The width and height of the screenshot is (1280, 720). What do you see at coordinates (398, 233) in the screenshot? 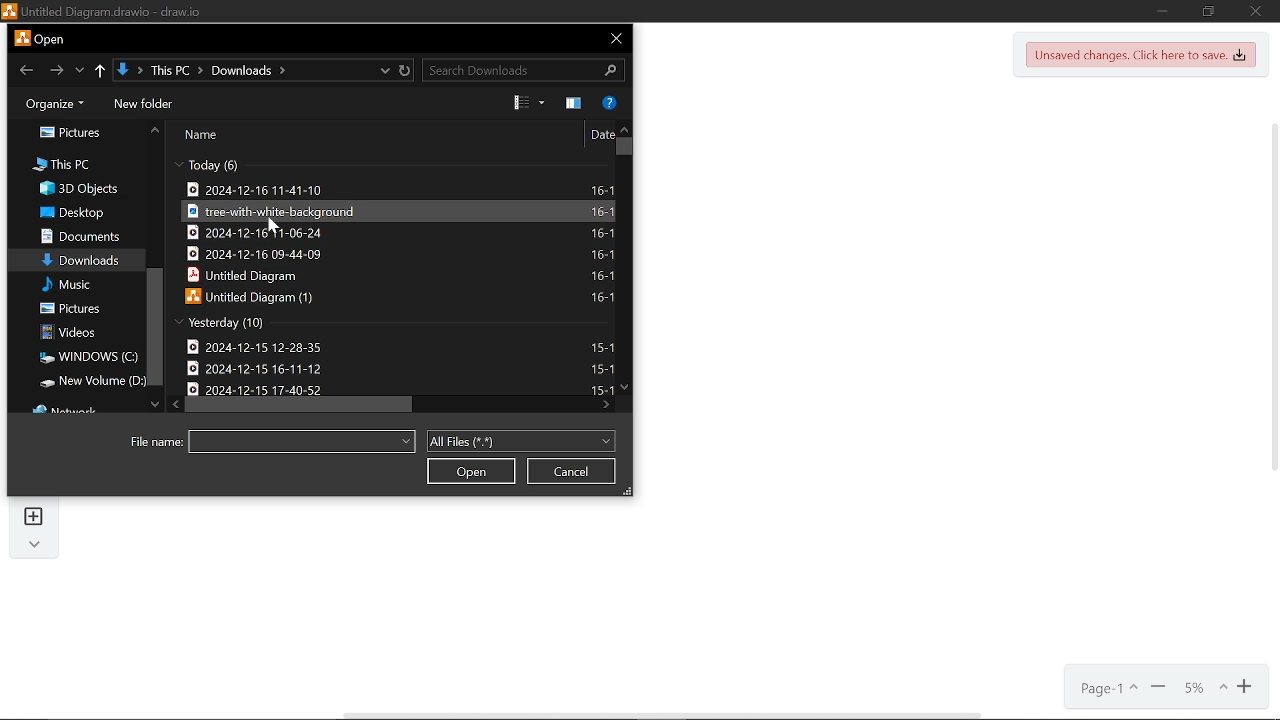
I see `file titled "2024-12-16 11-06-24"` at bounding box center [398, 233].